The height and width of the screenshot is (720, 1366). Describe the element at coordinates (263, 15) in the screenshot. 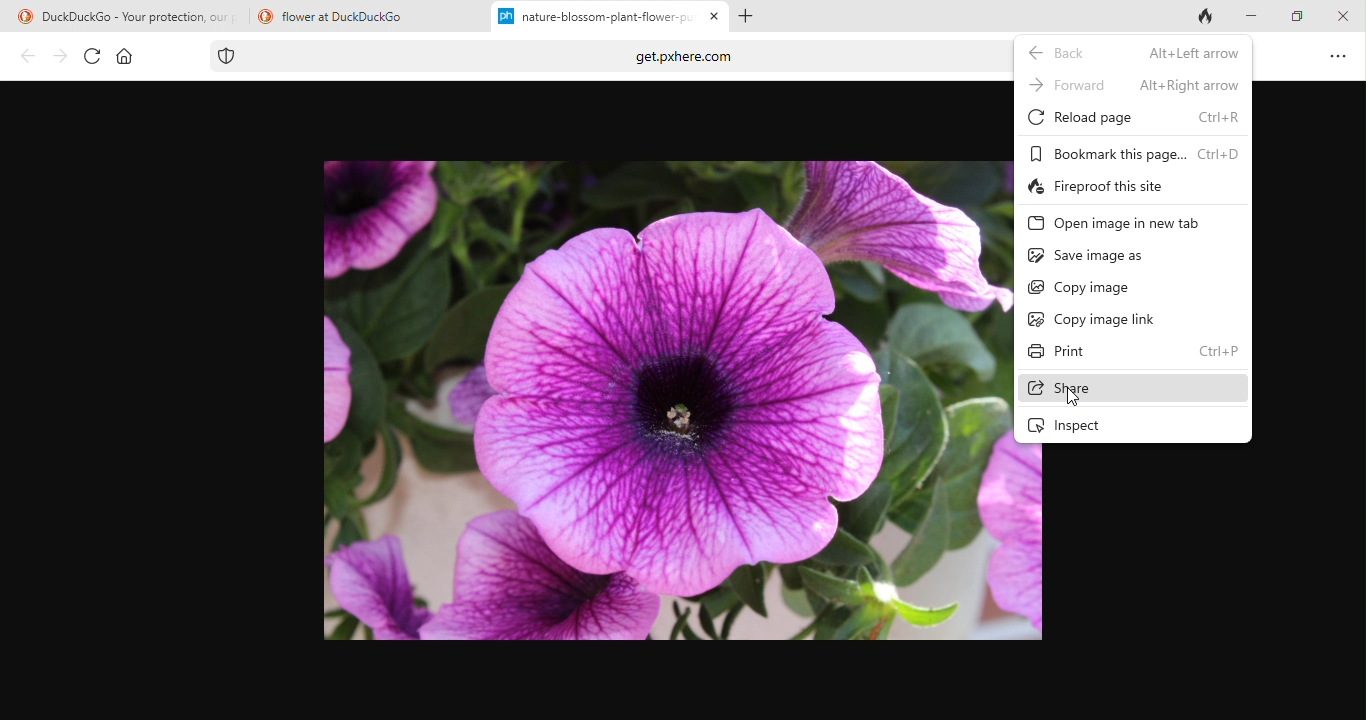

I see `duckduck go logo` at that location.